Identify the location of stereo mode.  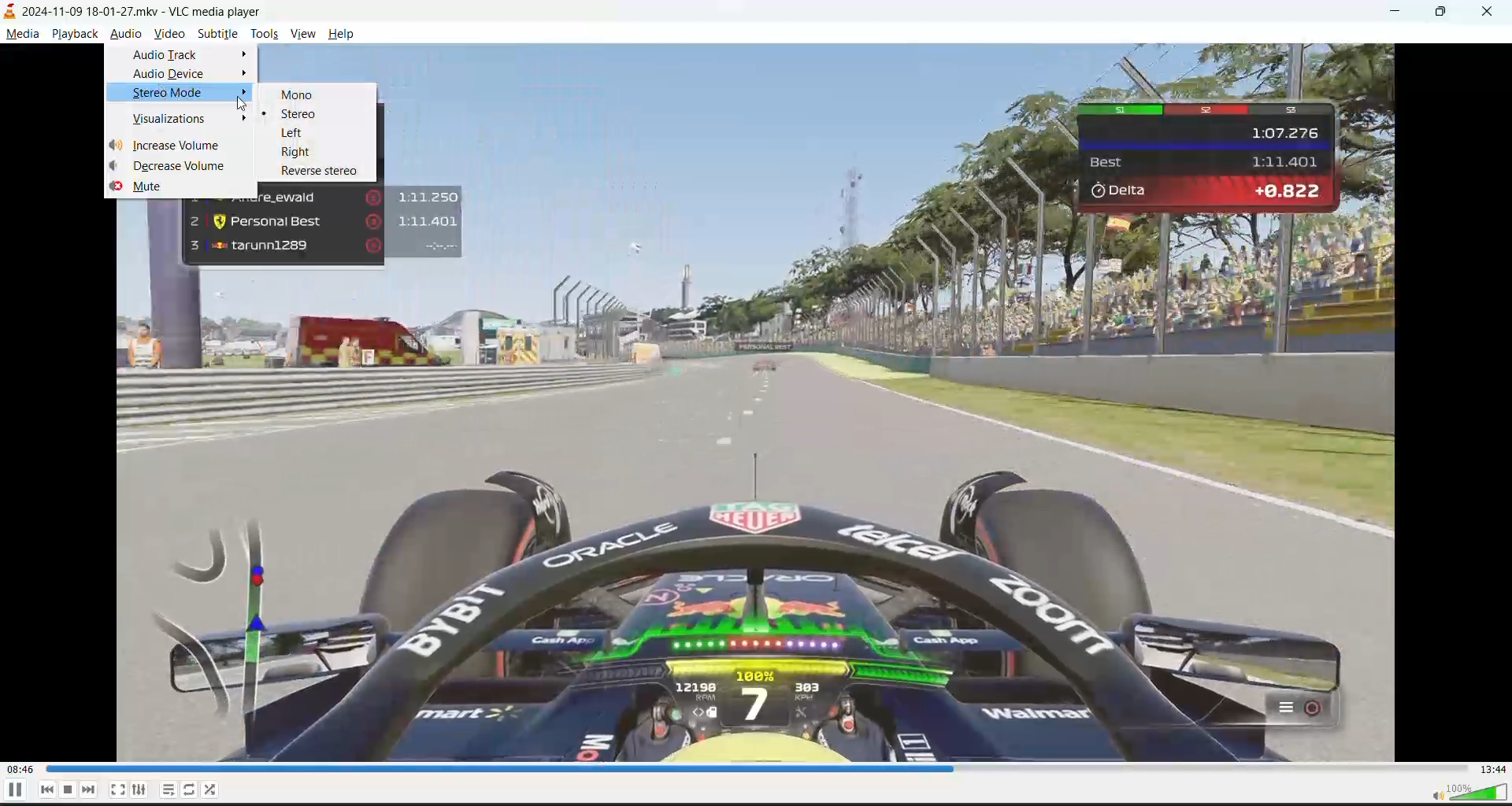
(177, 94).